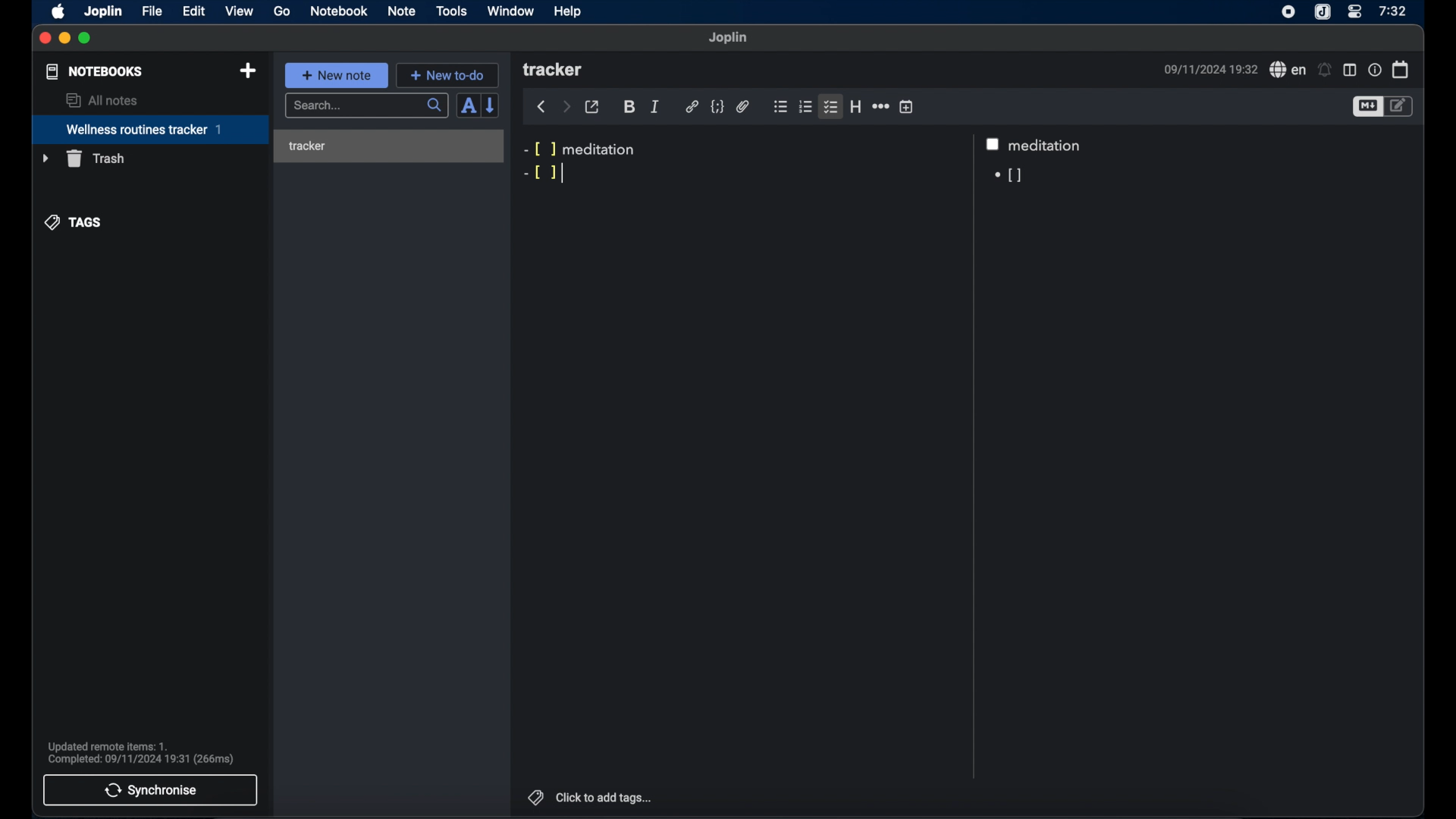 Image resolution: width=1456 pixels, height=819 pixels. I want to click on note, so click(402, 12).